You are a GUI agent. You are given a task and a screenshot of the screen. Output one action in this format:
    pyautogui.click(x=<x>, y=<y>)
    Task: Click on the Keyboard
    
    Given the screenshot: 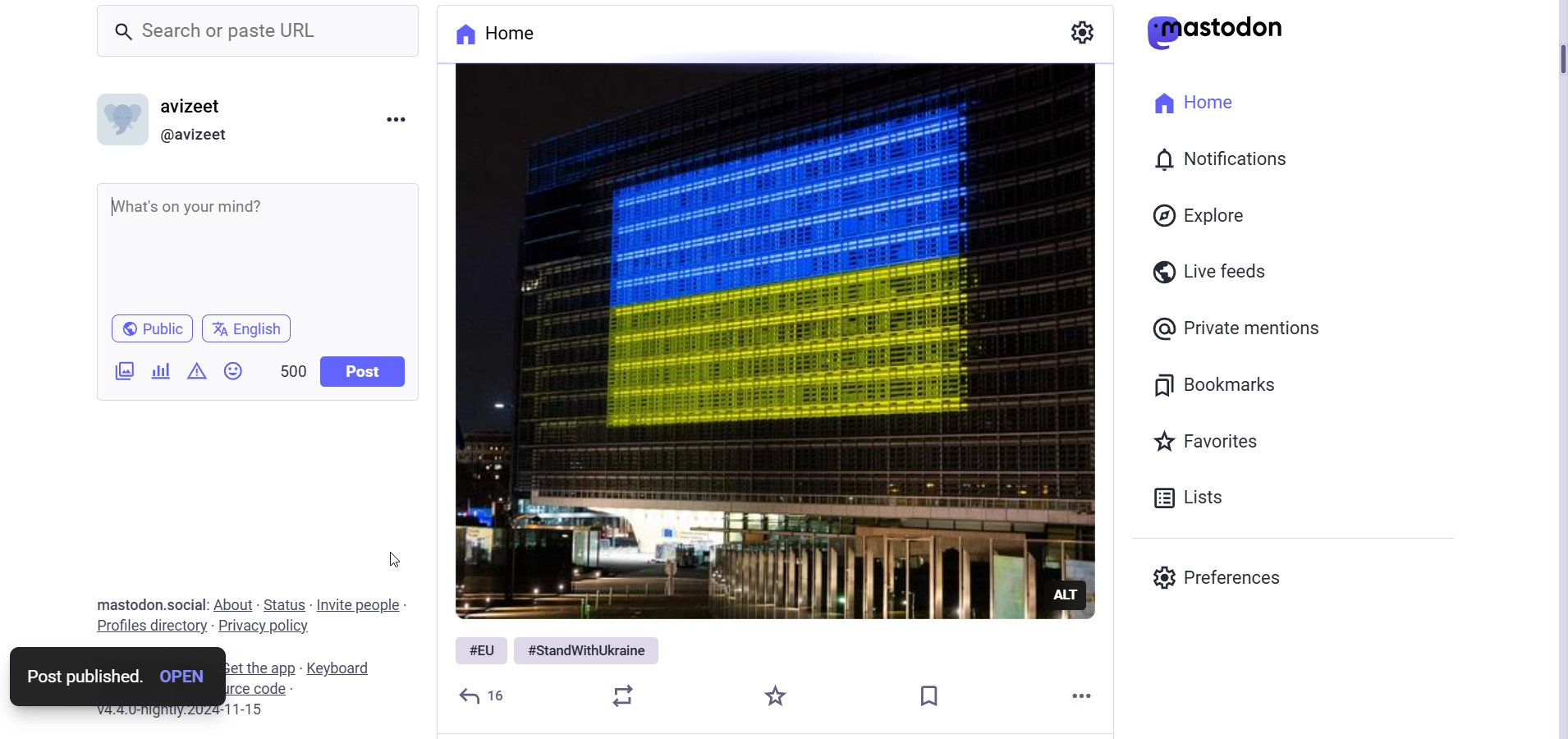 What is the action you would take?
    pyautogui.click(x=343, y=668)
    